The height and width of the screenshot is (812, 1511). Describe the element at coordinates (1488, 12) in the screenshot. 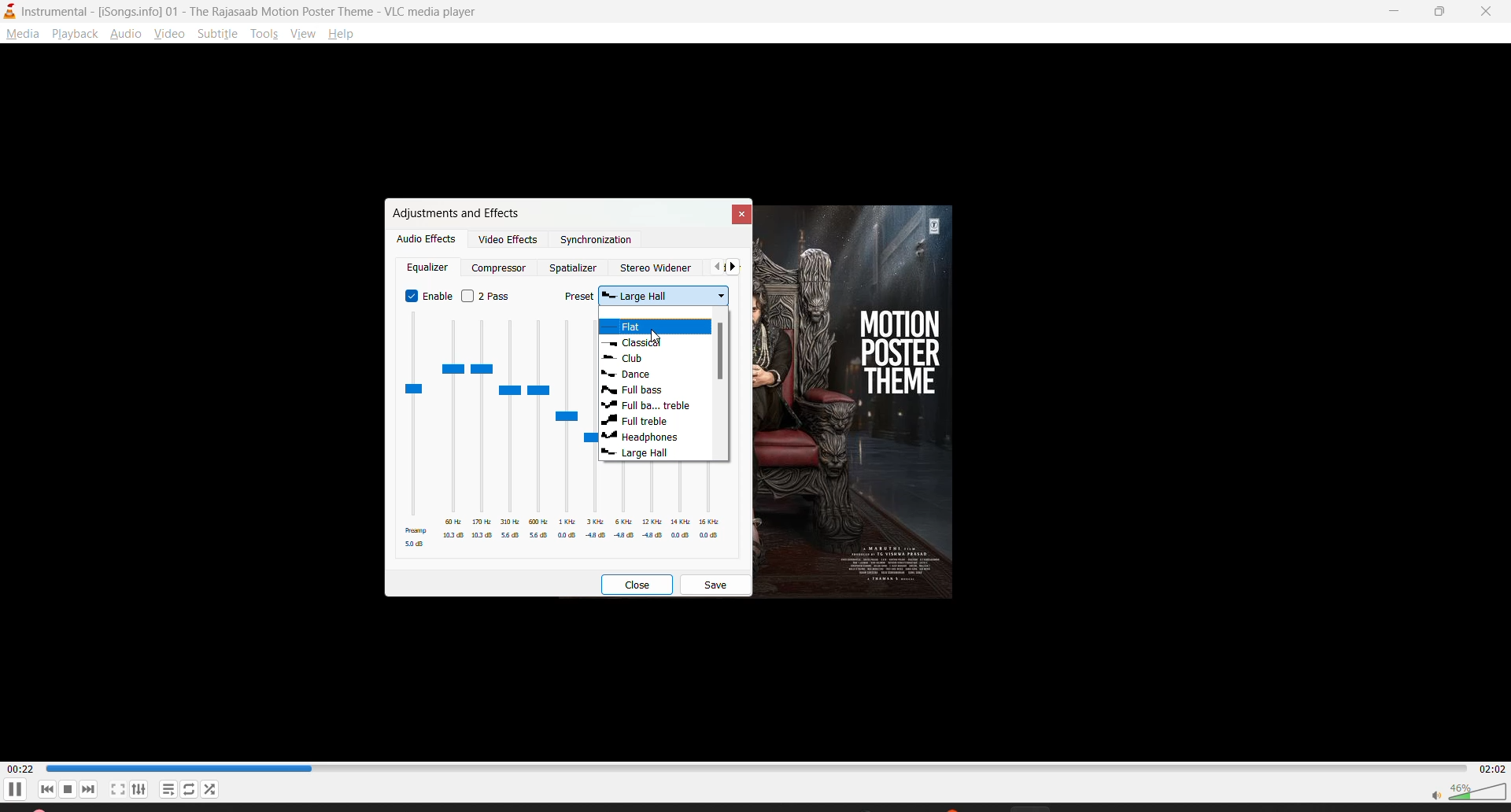

I see `close` at that location.